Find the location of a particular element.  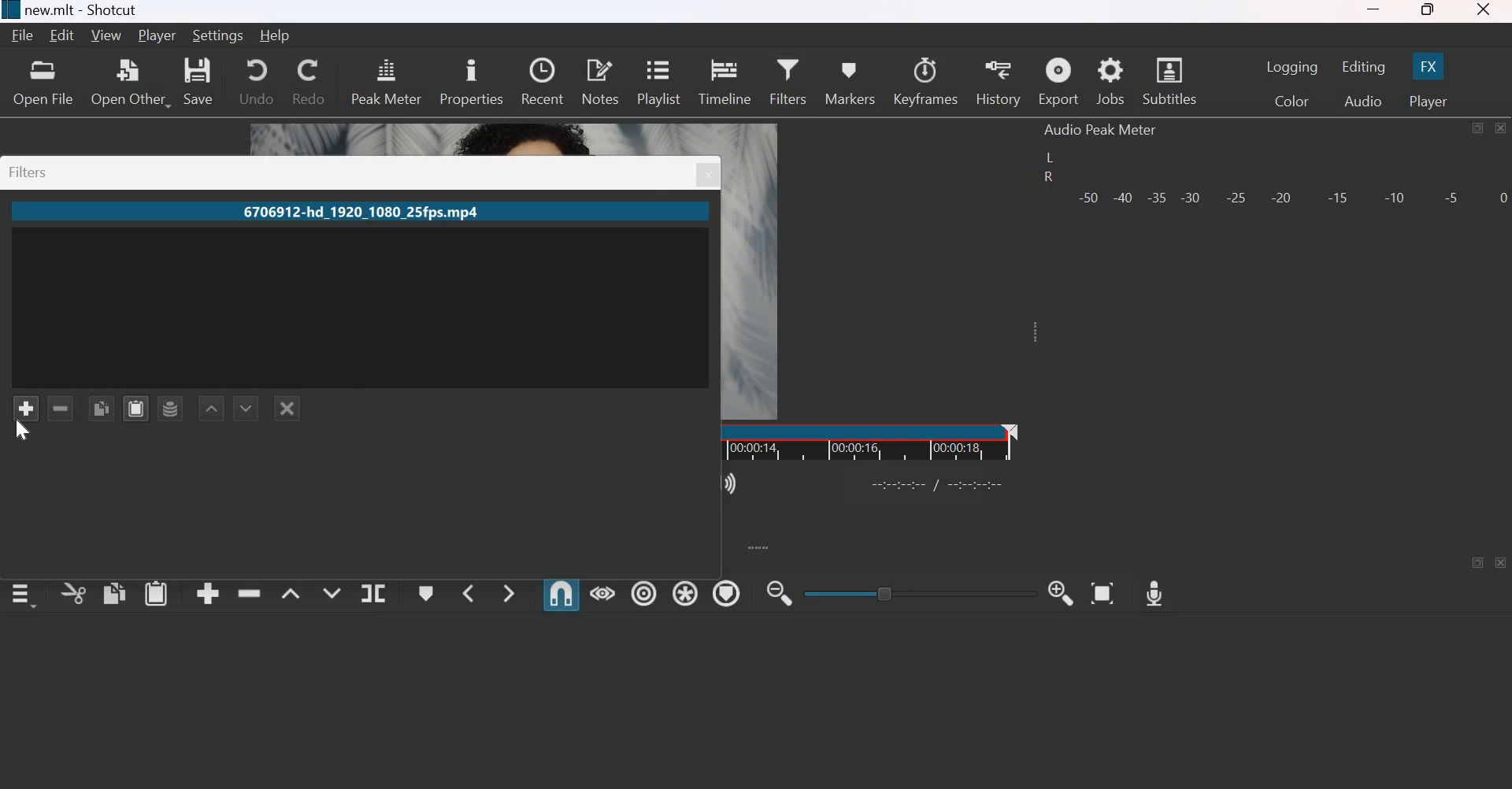

left is located at coordinates (1052, 157).